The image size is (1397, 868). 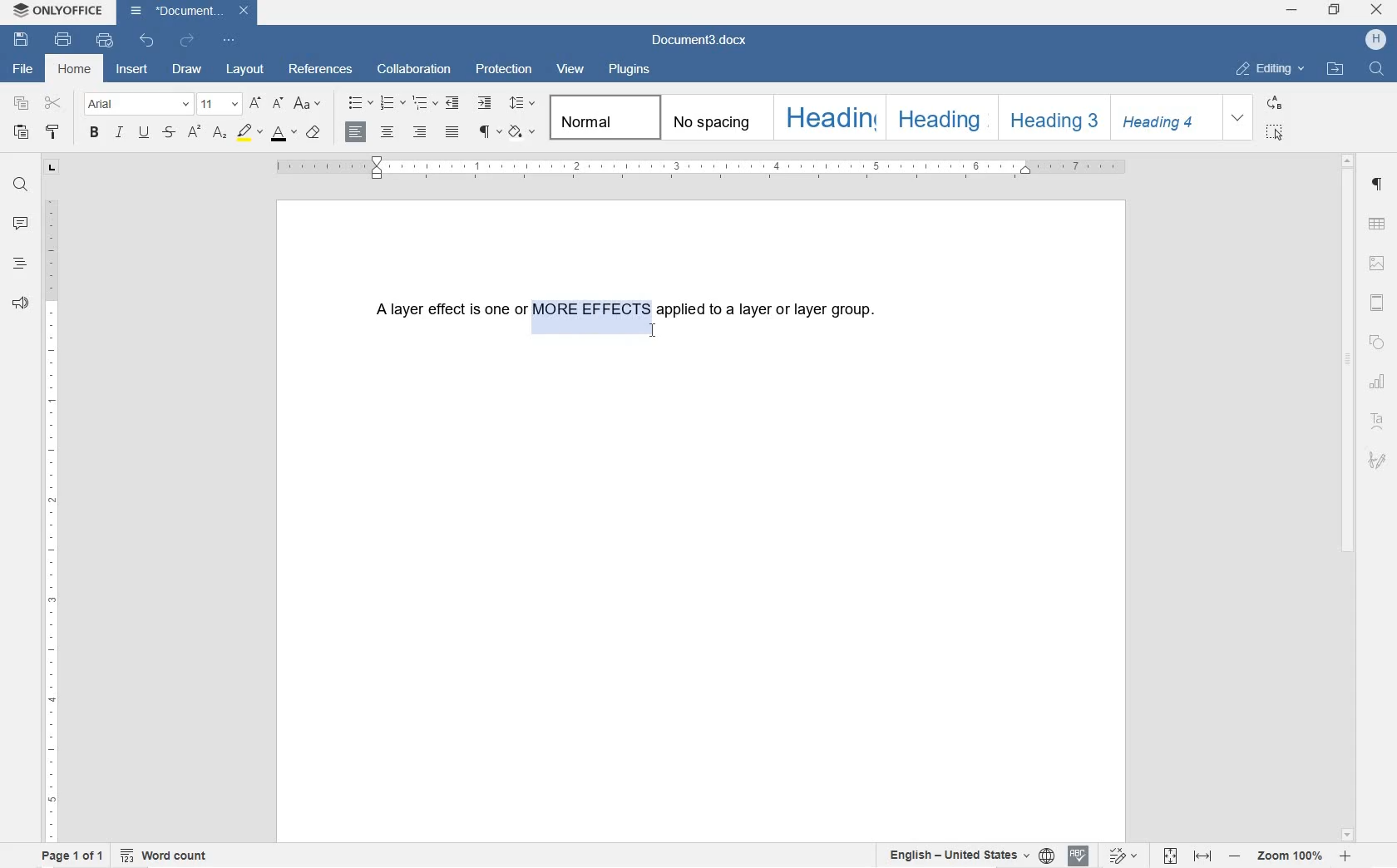 What do you see at coordinates (590, 313) in the screenshot?
I see `TEXT HIGHLIGHTED` at bounding box center [590, 313].